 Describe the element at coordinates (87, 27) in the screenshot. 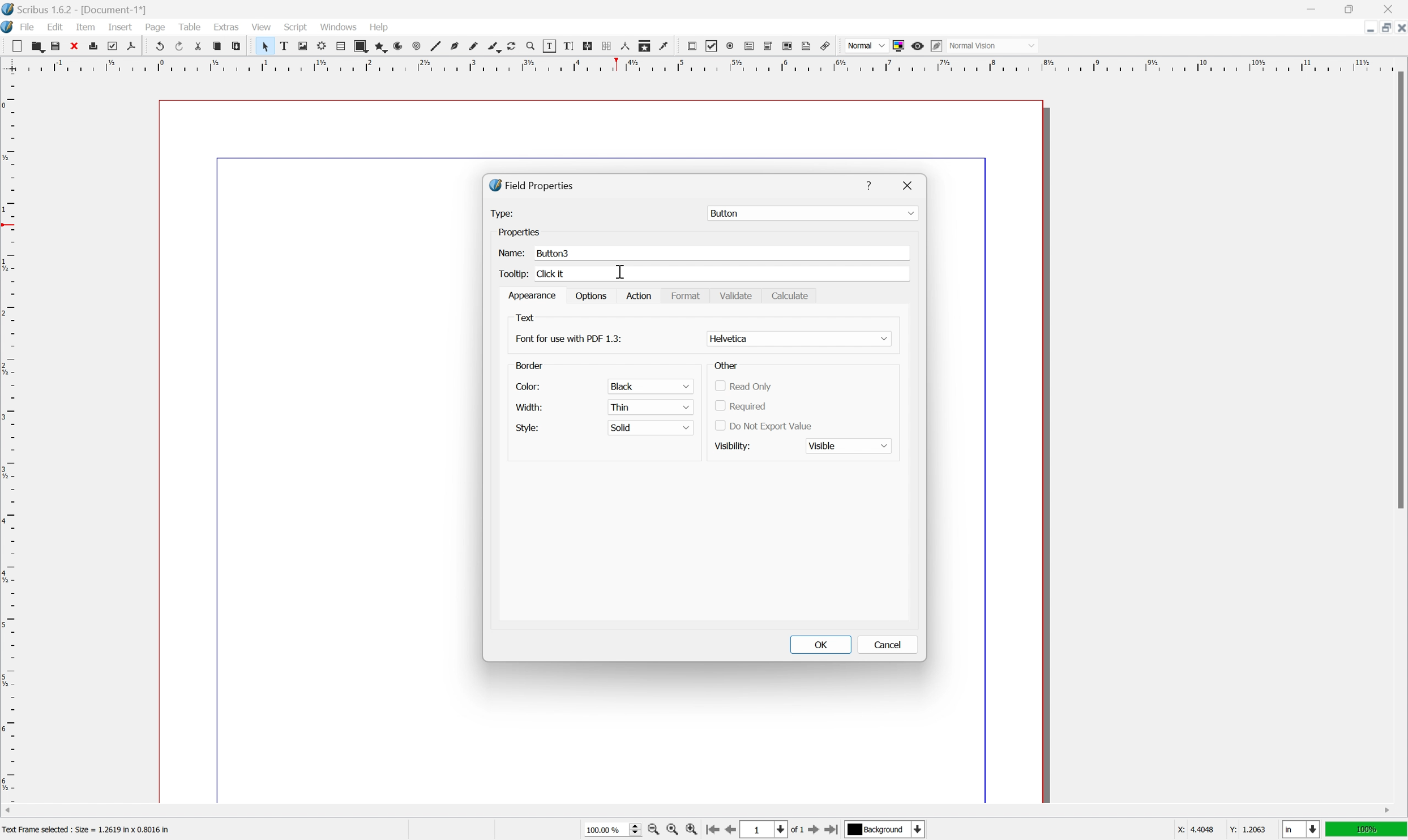

I see `item` at that location.